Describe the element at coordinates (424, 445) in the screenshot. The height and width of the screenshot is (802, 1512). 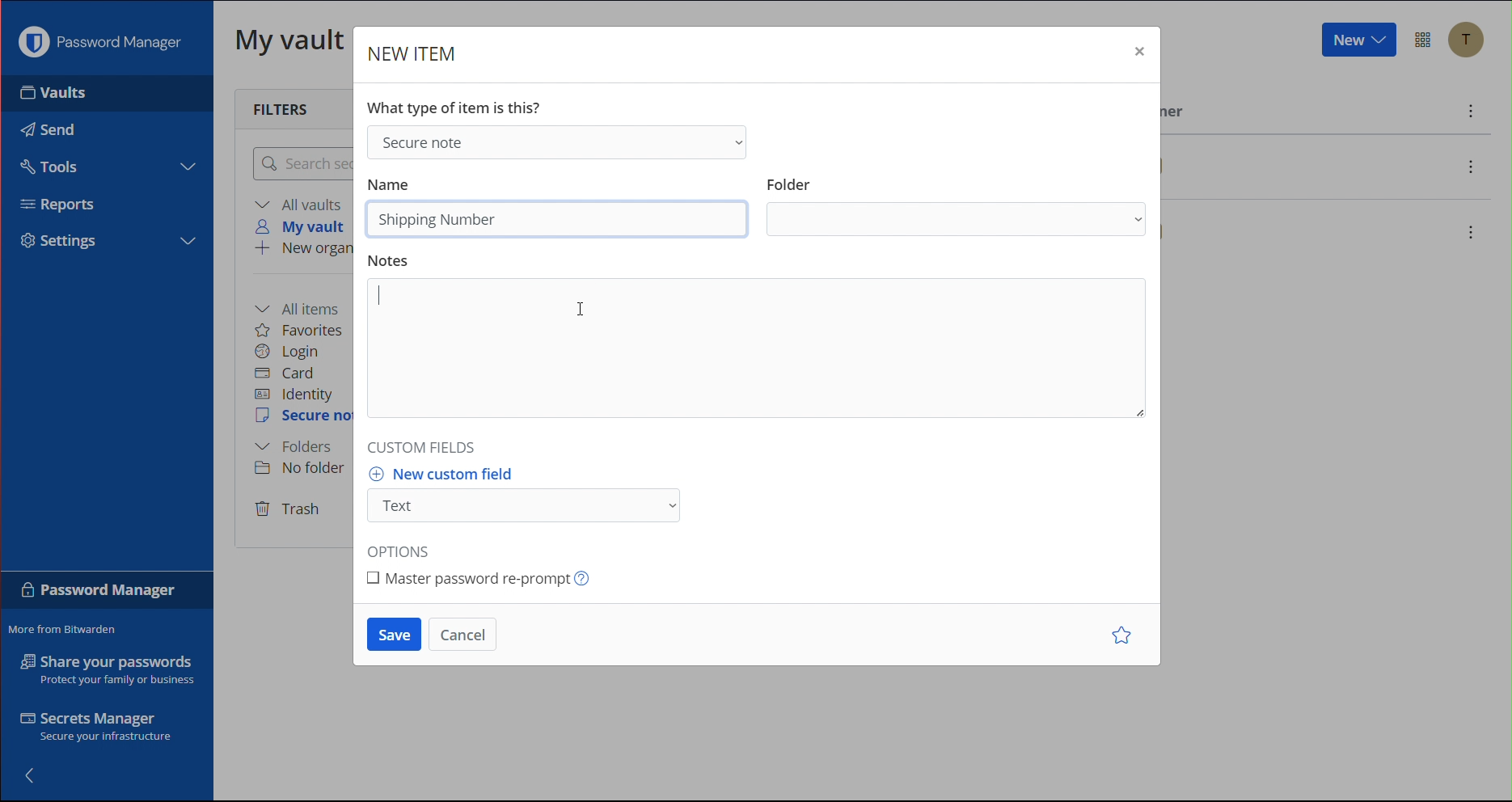
I see `Custom Fields` at that location.